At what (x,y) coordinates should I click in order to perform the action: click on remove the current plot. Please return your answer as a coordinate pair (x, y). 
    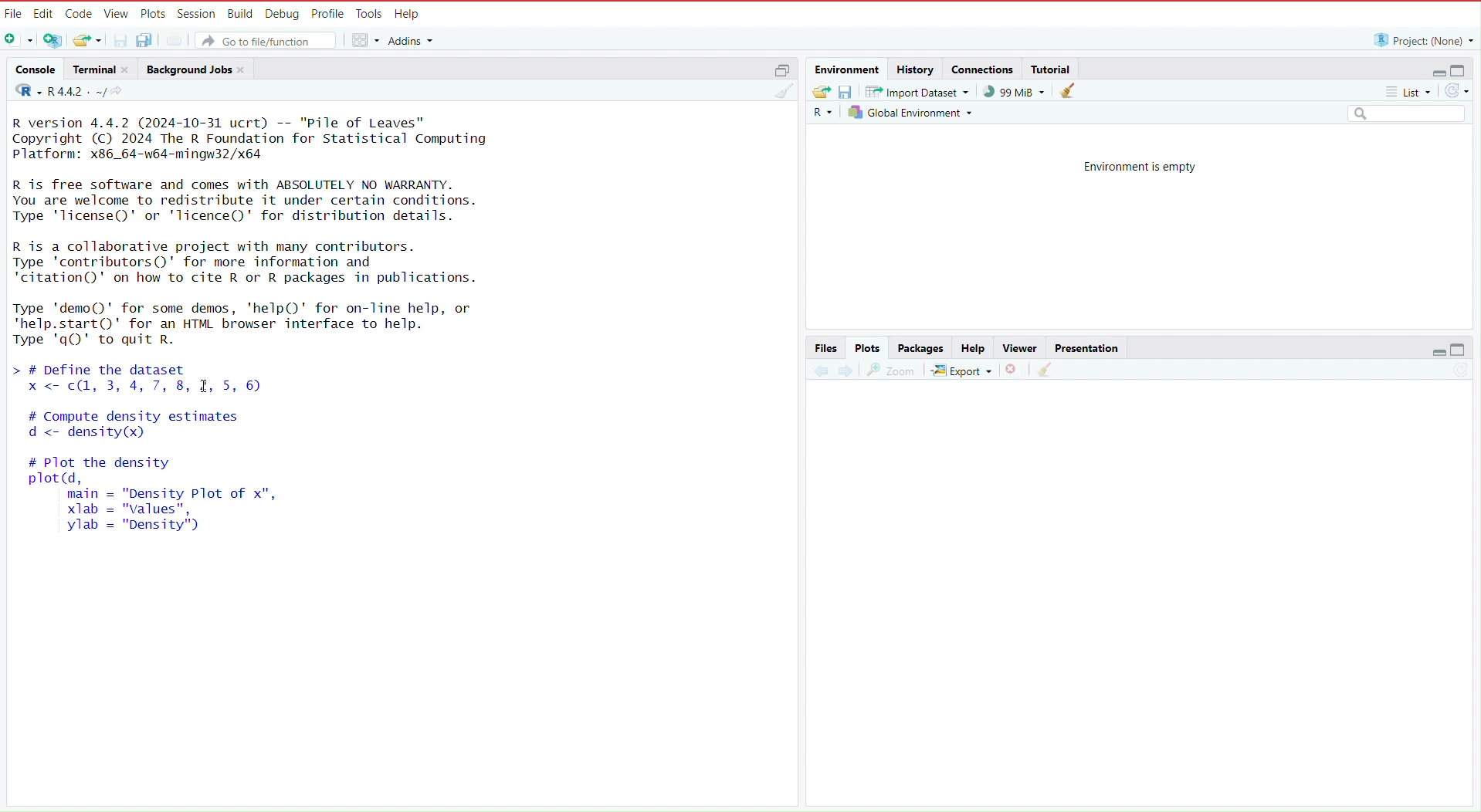
    Looking at the image, I should click on (1015, 370).